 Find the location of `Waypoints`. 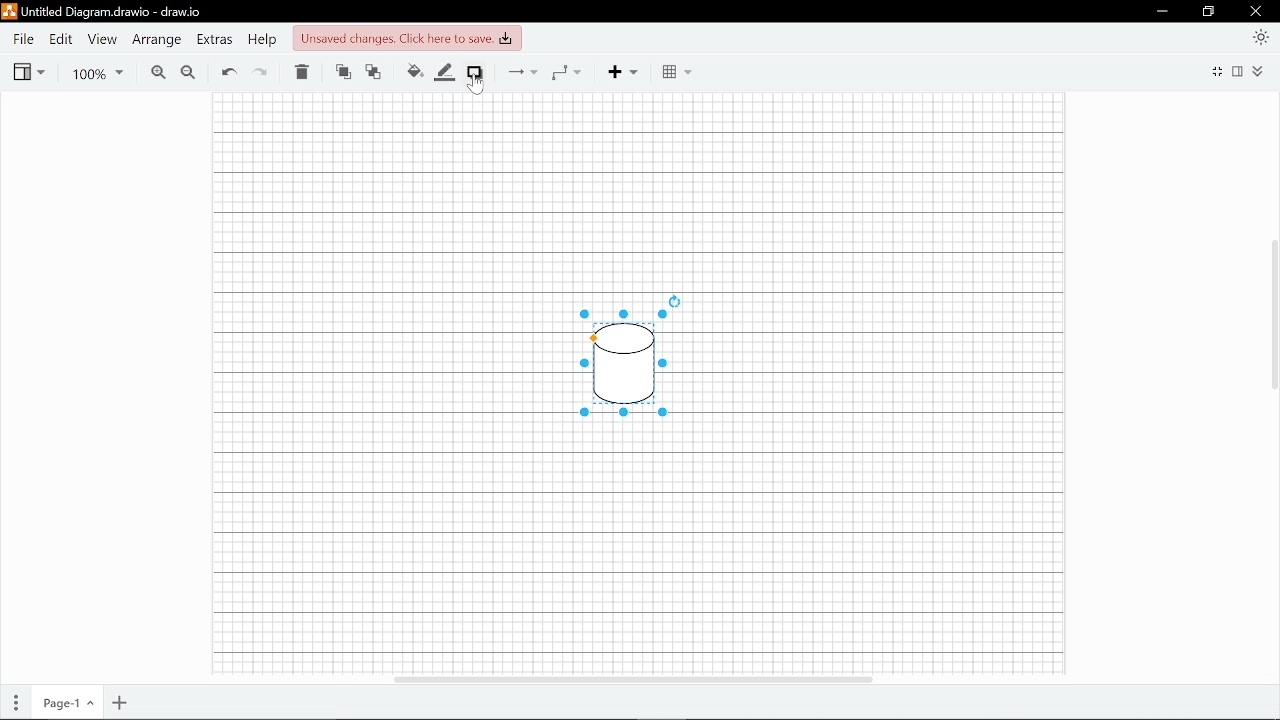

Waypoints is located at coordinates (568, 72).